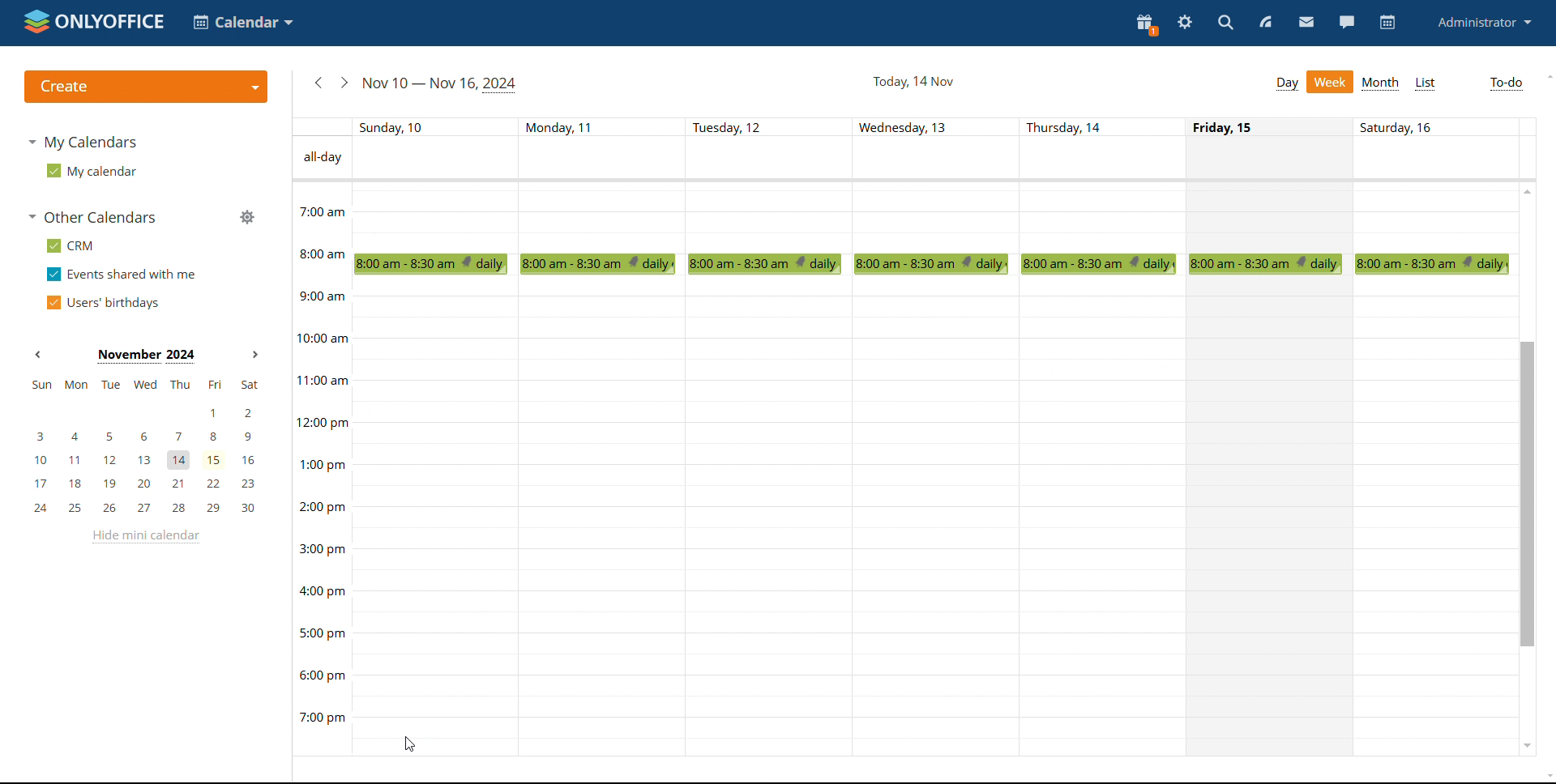  Describe the element at coordinates (1546, 76) in the screenshot. I see `scroll up` at that location.